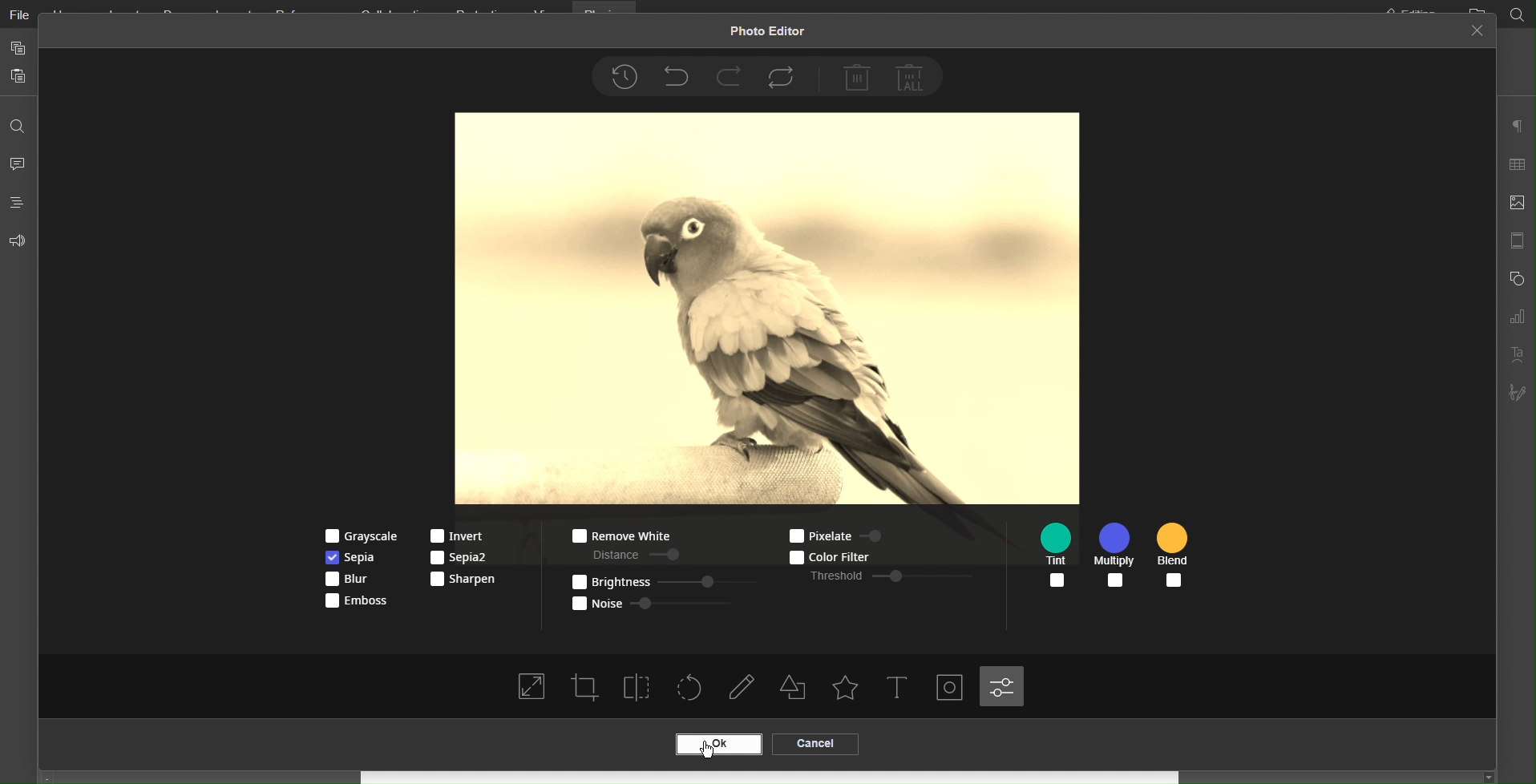 This screenshot has height=784, width=1536. What do you see at coordinates (717, 749) in the screenshot?
I see `Cursor` at bounding box center [717, 749].